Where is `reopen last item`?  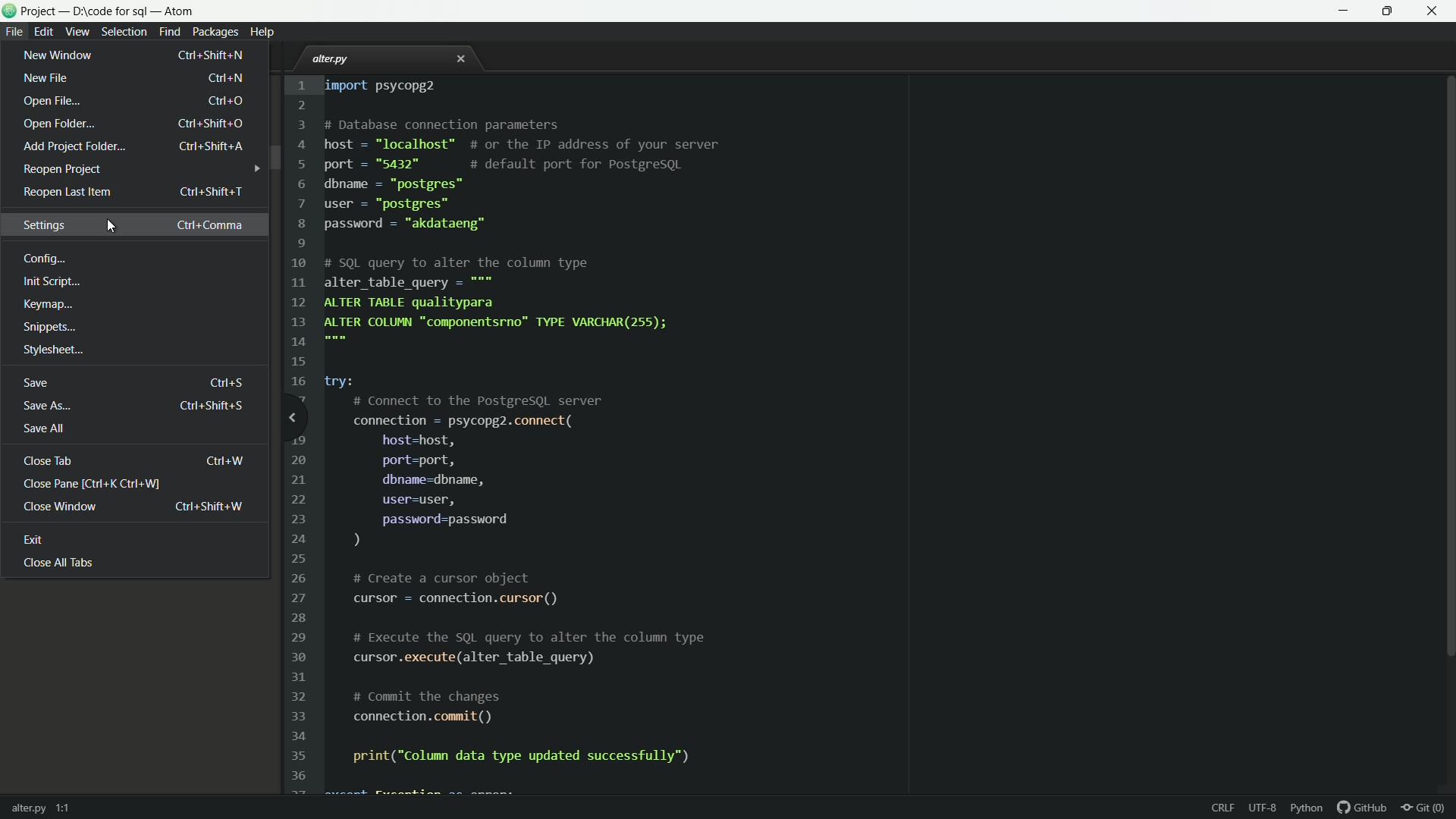
reopen last item is located at coordinates (131, 191).